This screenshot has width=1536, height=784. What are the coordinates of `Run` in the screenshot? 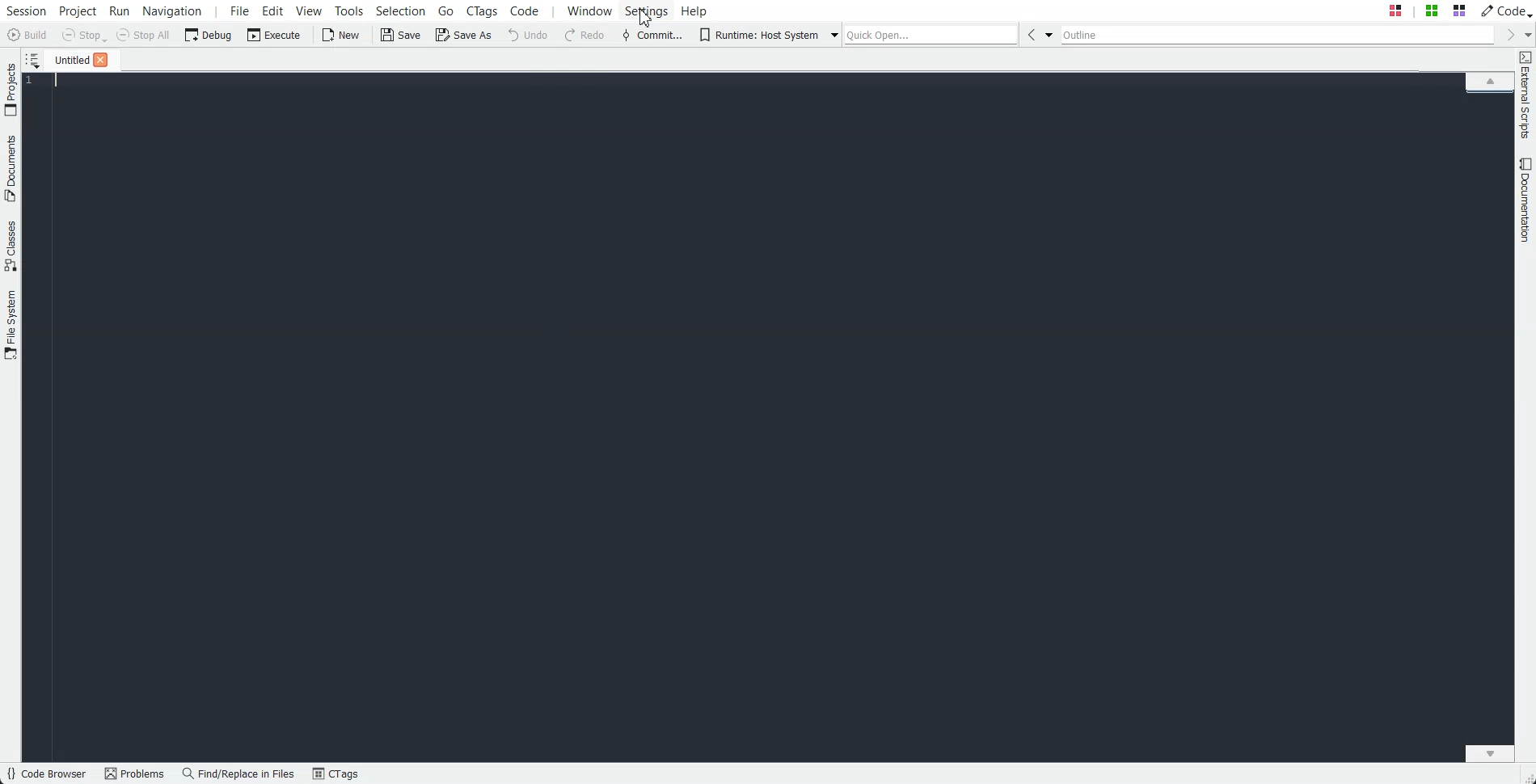 It's located at (118, 11).